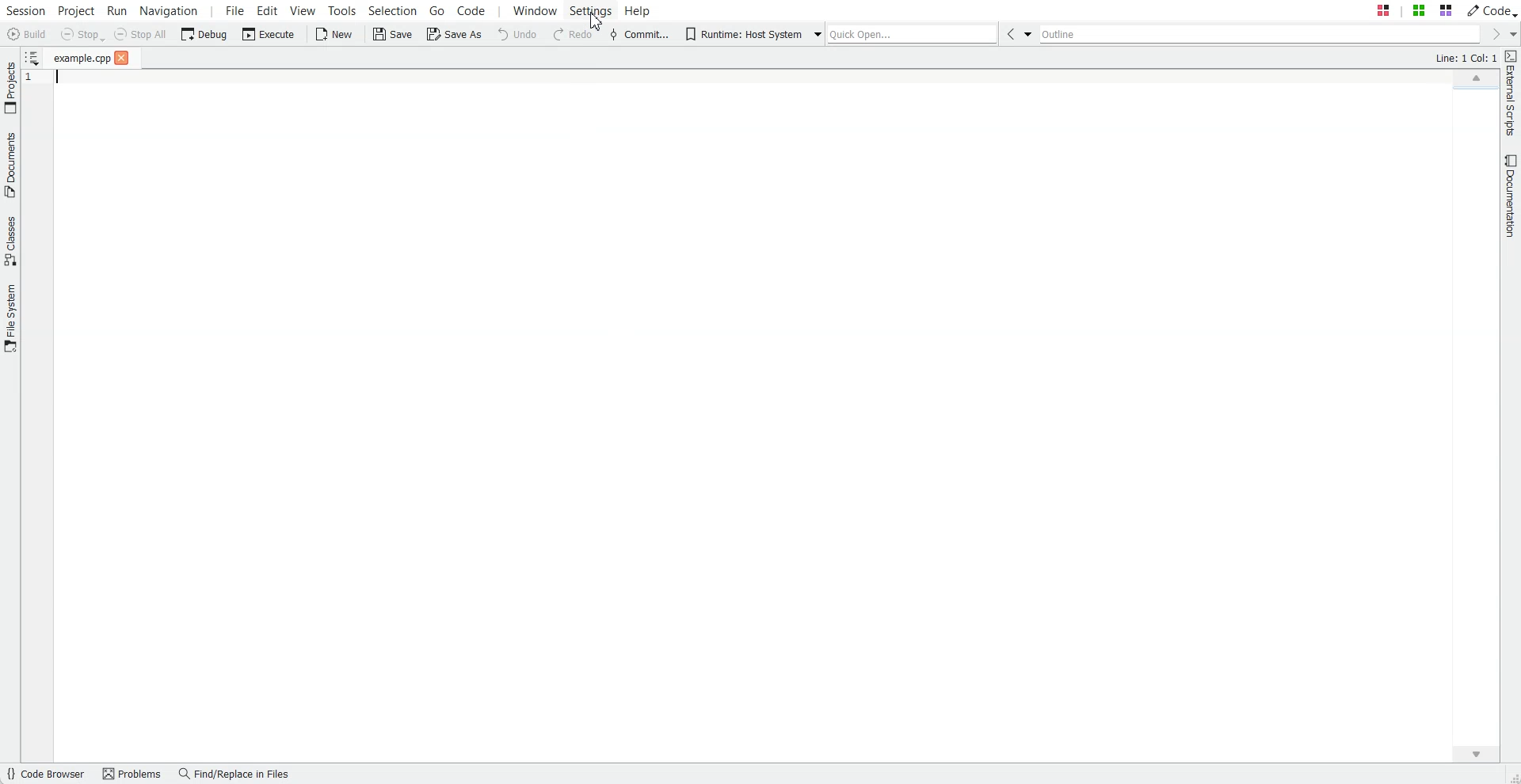 The width and height of the screenshot is (1521, 784). I want to click on Save, so click(393, 35).